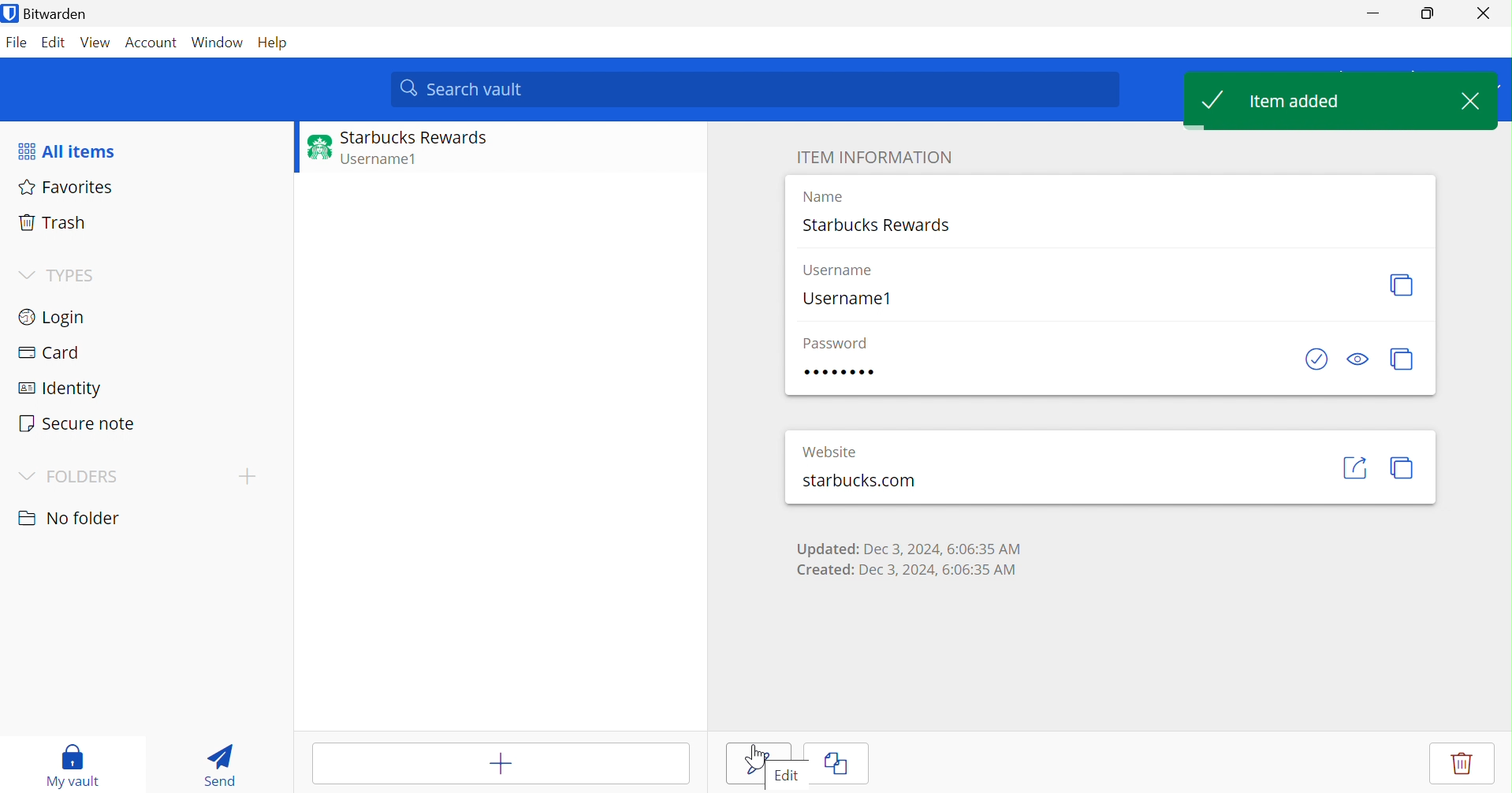 Image resolution: width=1512 pixels, height=793 pixels. I want to click on starbucks.com, so click(855, 482).